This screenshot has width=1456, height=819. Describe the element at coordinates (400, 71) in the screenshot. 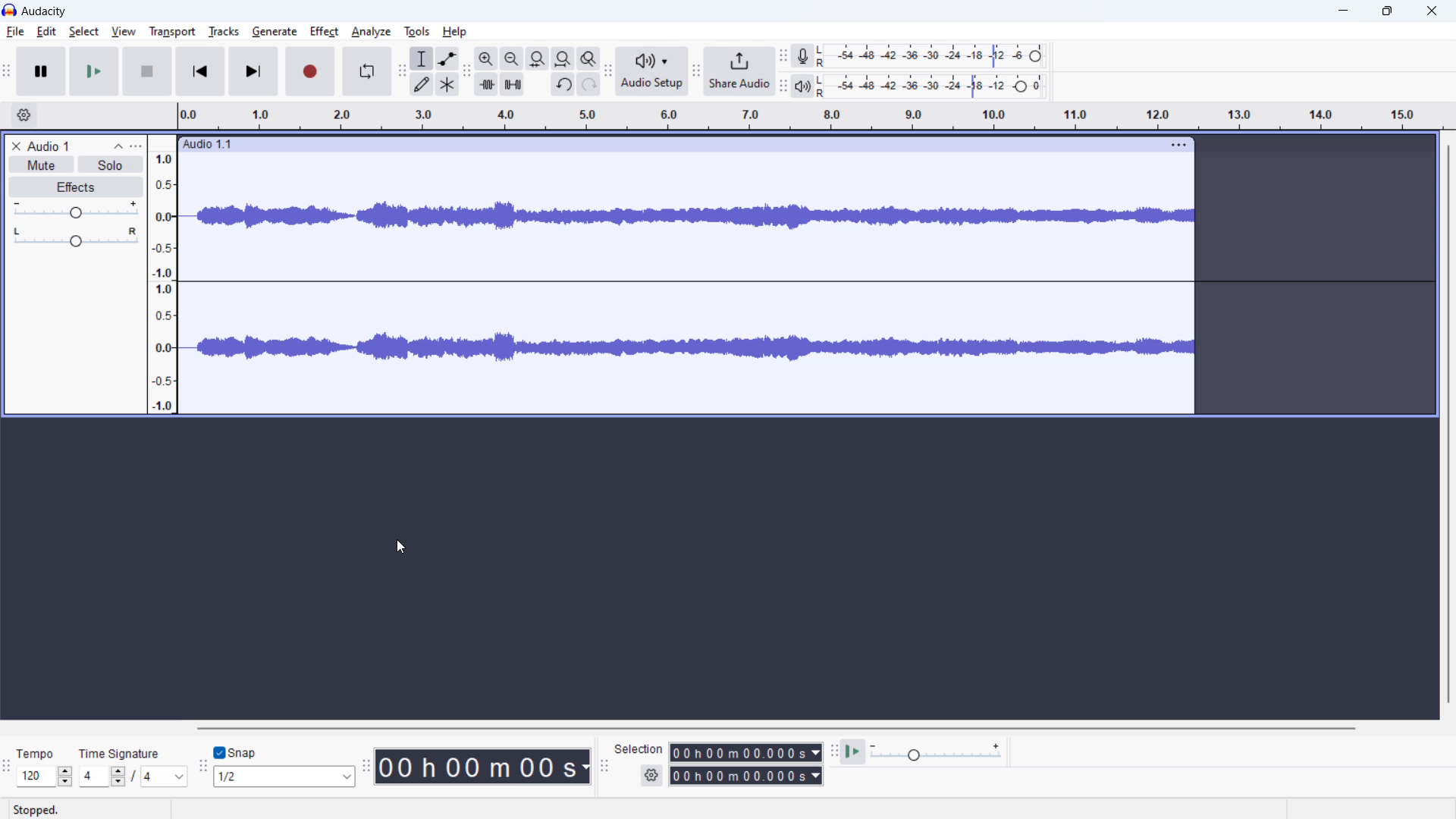

I see `` at that location.